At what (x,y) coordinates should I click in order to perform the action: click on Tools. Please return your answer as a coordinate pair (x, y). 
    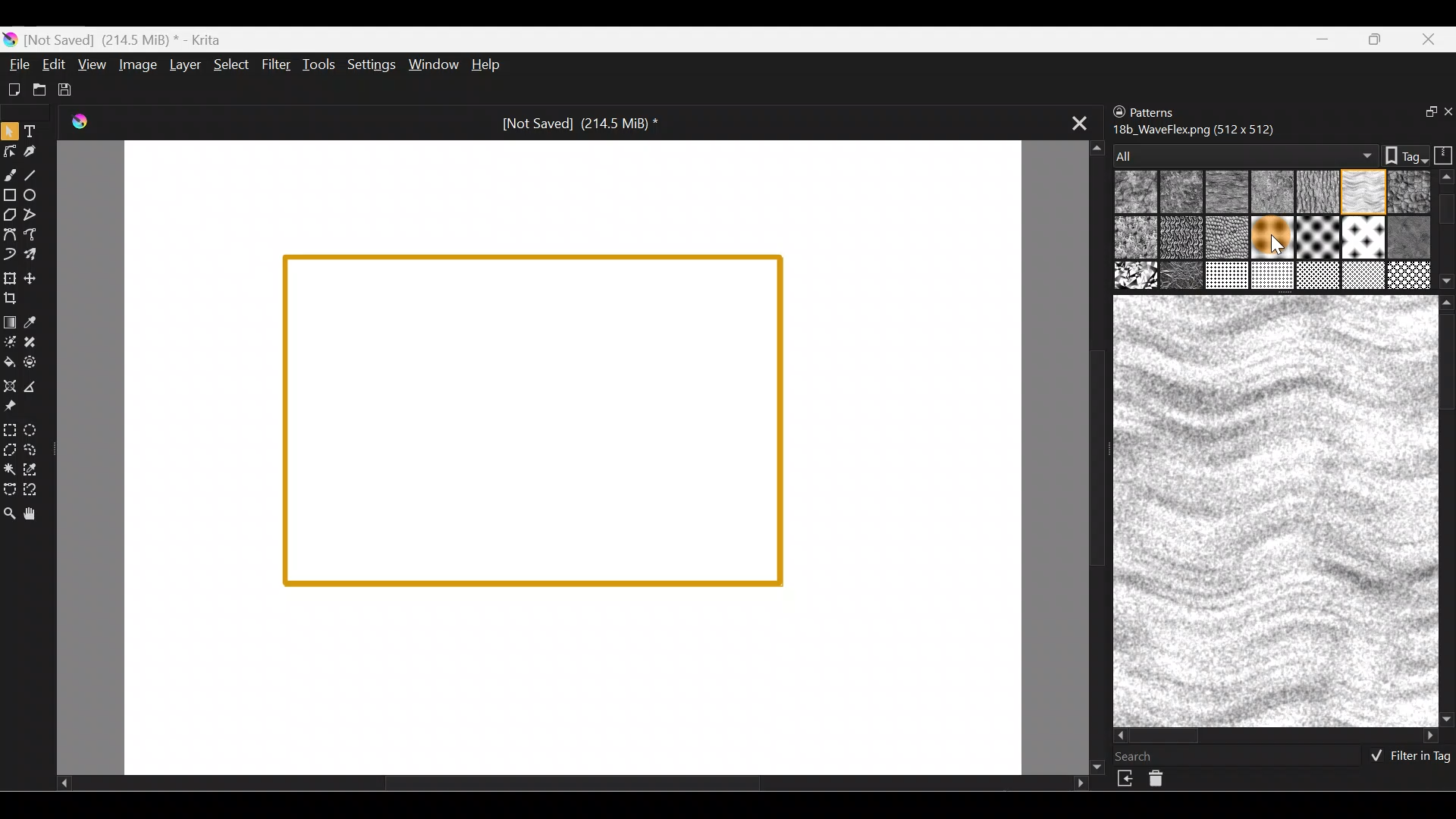
    Looking at the image, I should click on (318, 66).